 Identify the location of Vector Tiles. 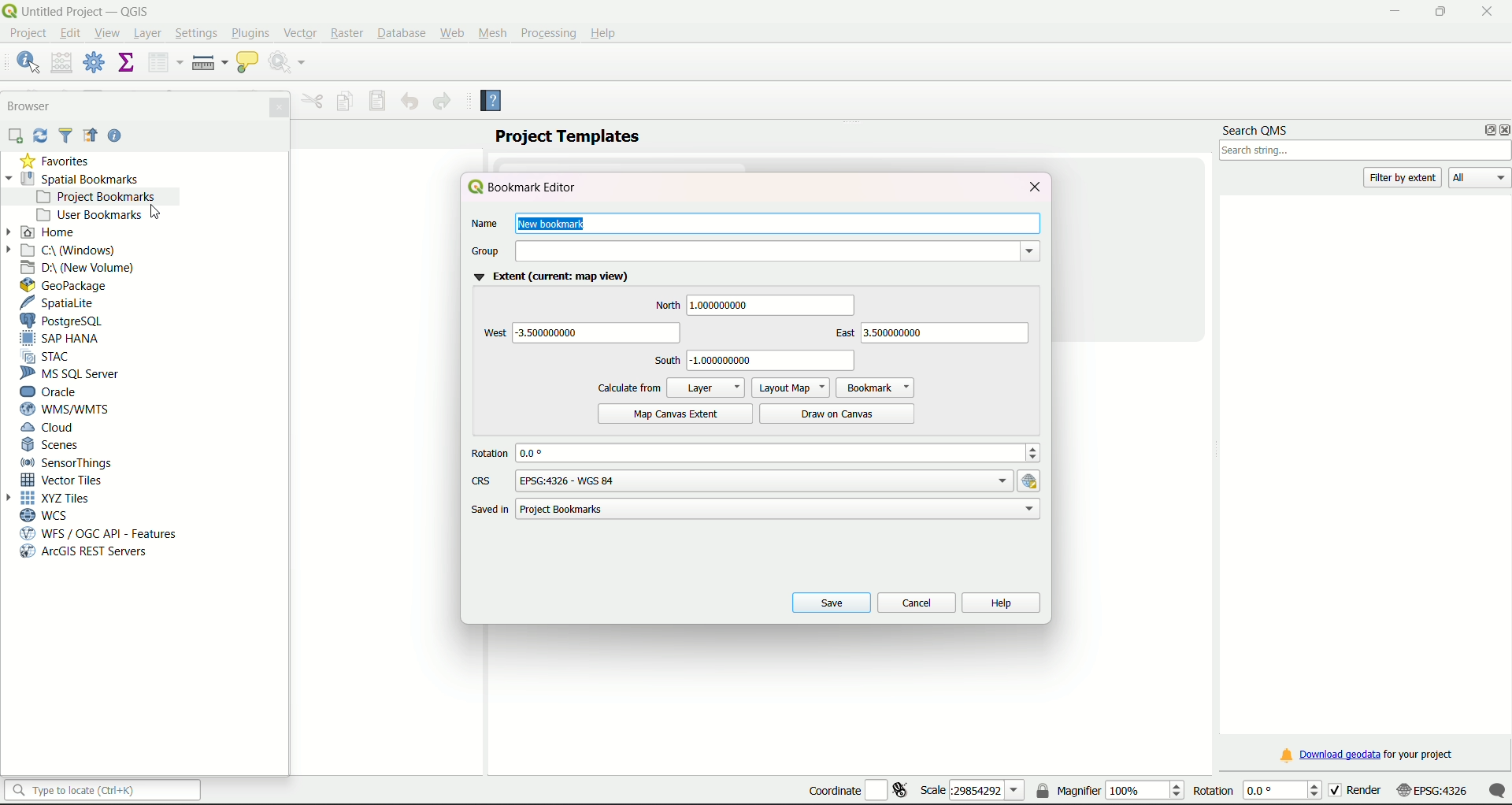
(66, 480).